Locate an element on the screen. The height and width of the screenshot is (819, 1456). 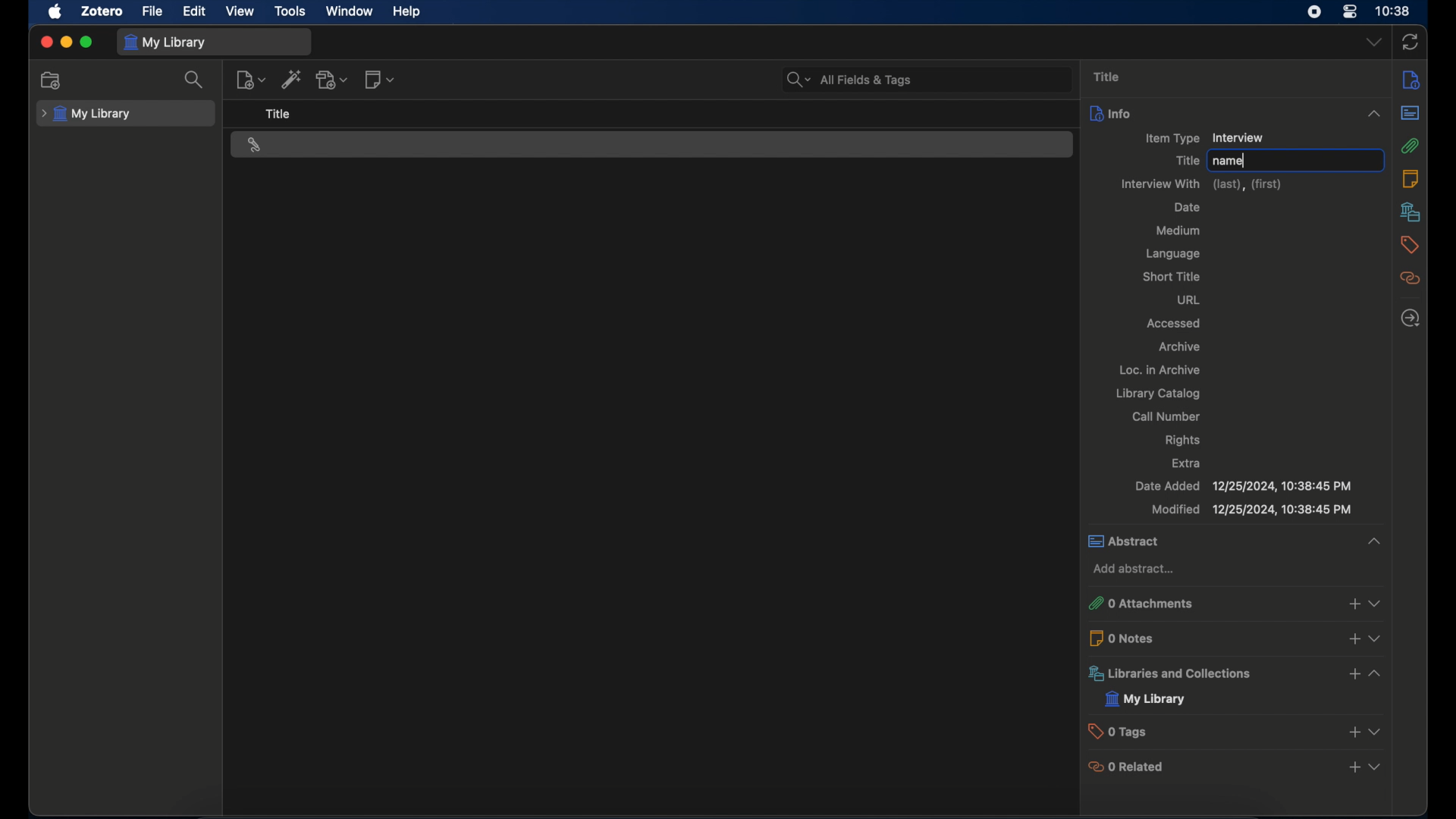
tools is located at coordinates (291, 12).